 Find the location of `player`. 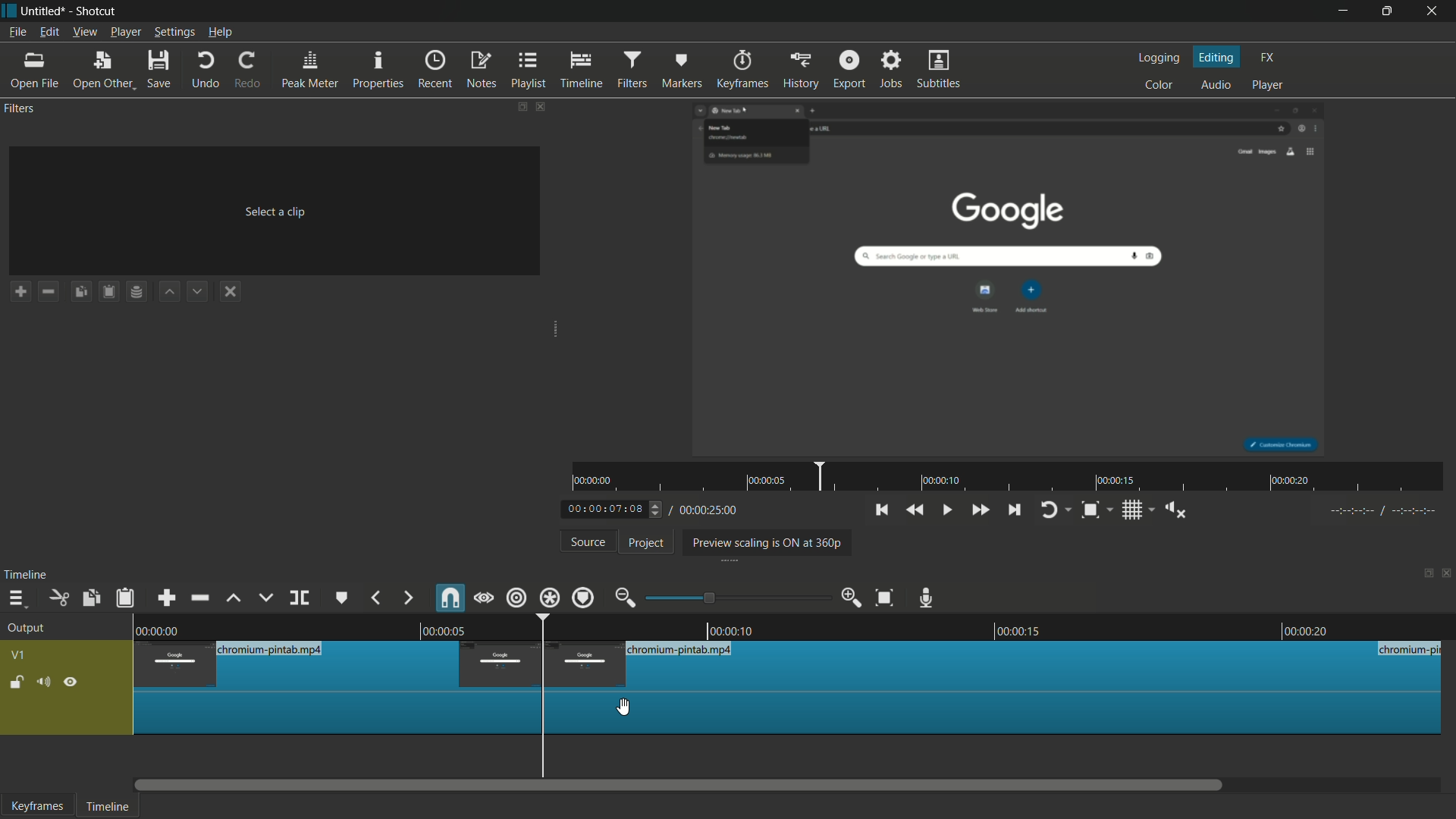

player is located at coordinates (1268, 83).